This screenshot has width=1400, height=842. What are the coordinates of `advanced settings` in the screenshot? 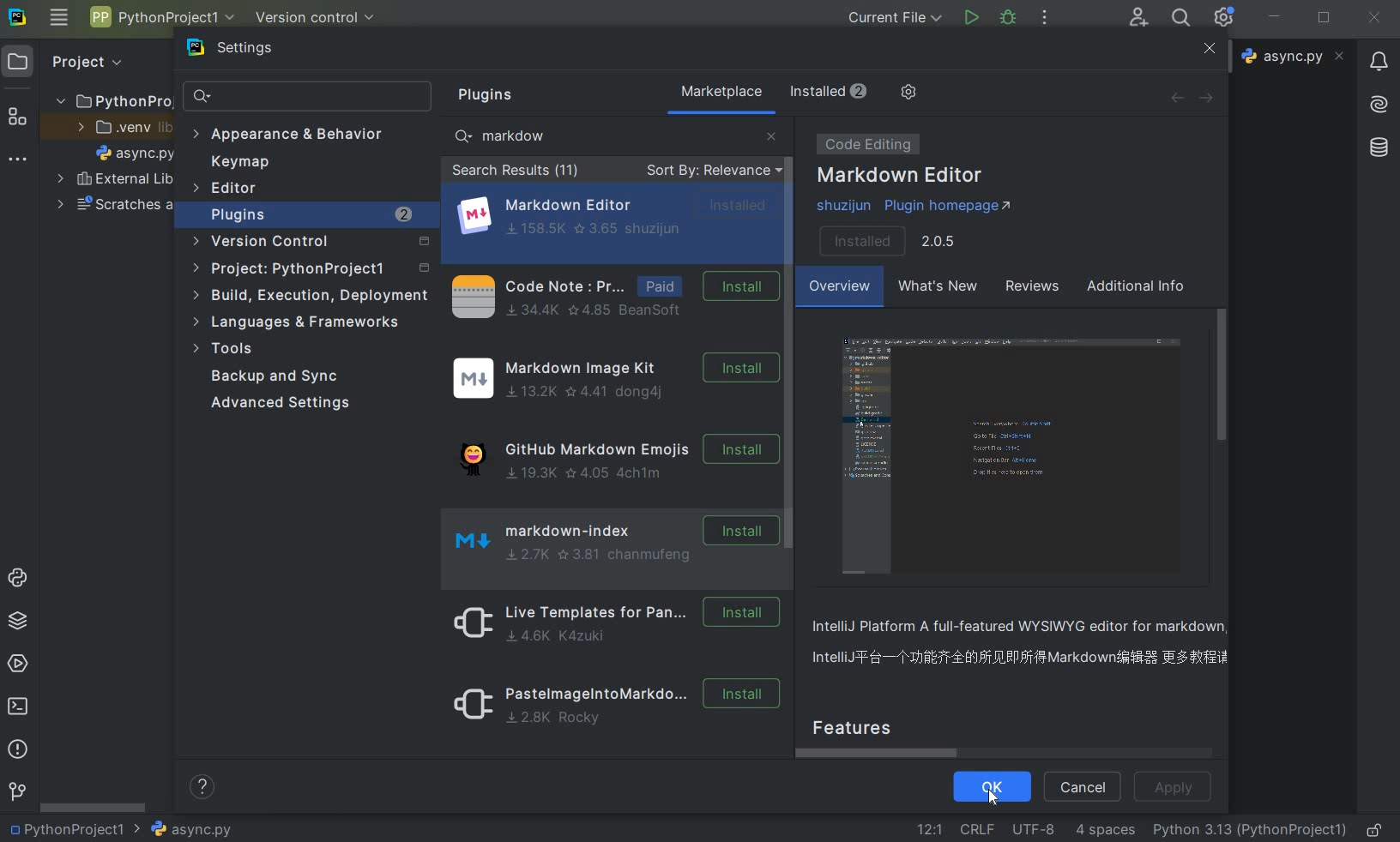 It's located at (283, 403).